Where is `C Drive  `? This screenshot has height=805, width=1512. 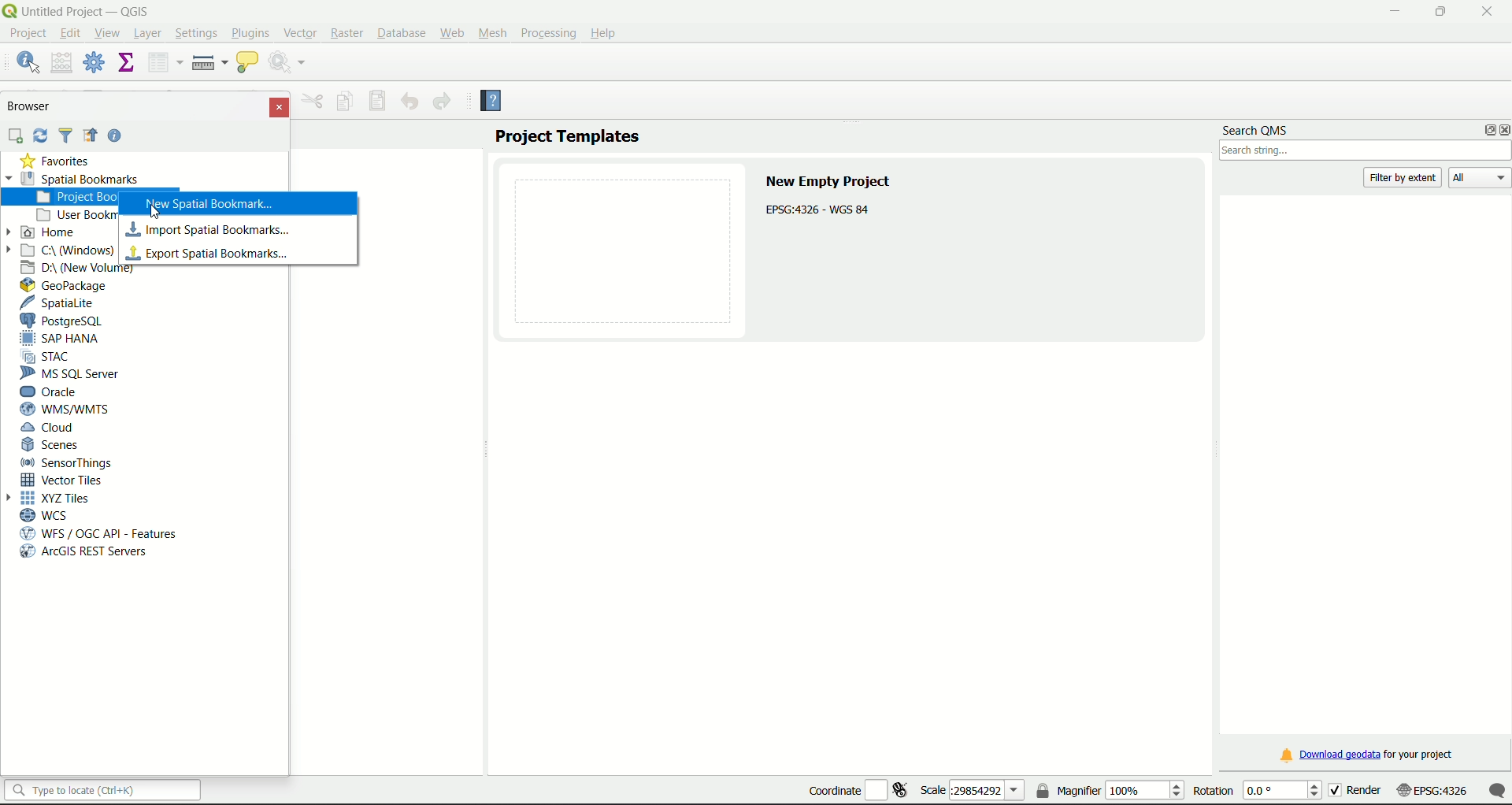 C Drive   is located at coordinates (71, 250).